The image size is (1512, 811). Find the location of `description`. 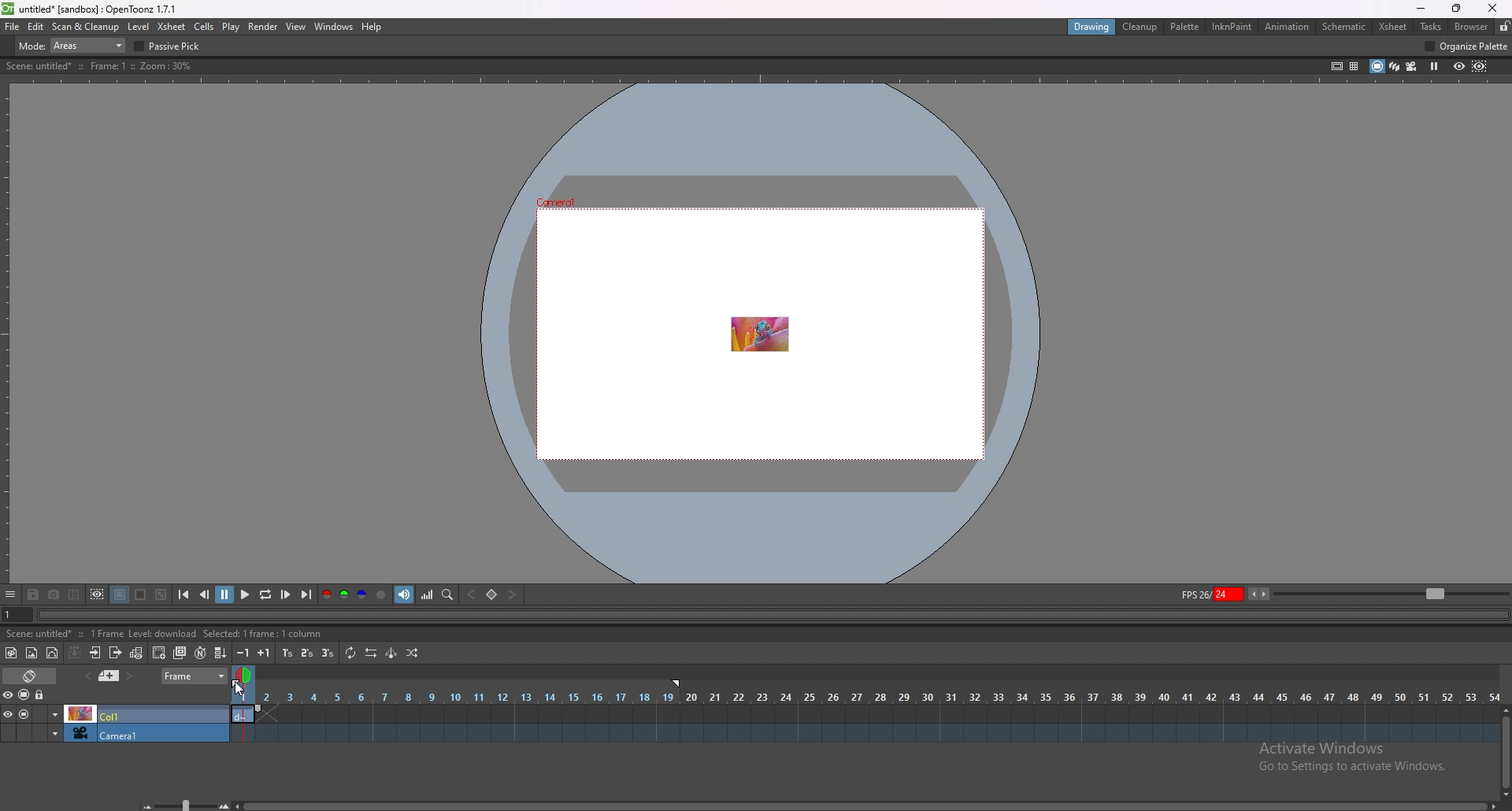

description is located at coordinates (167, 634).